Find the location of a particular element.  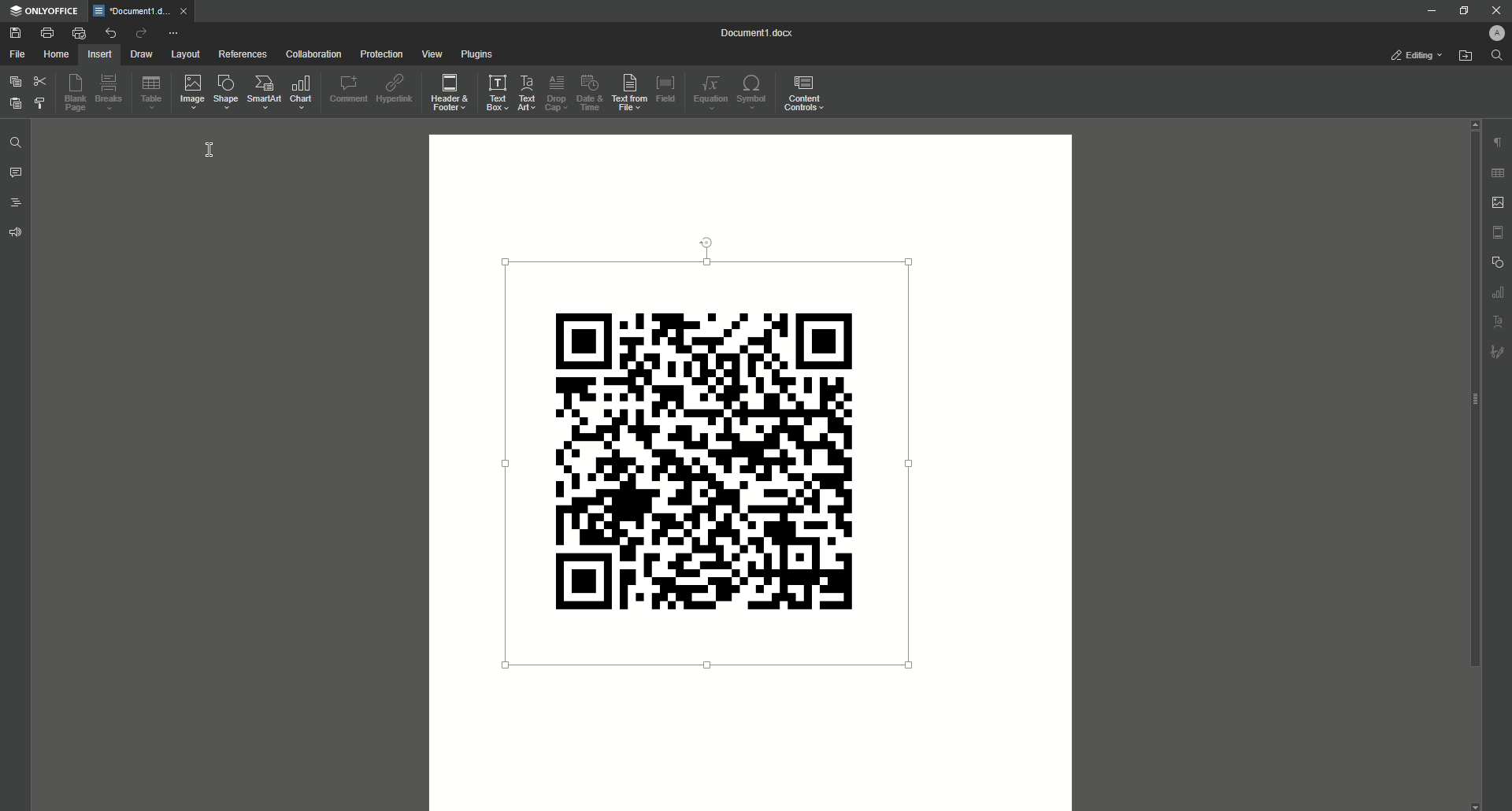

Date and Time is located at coordinates (588, 93).